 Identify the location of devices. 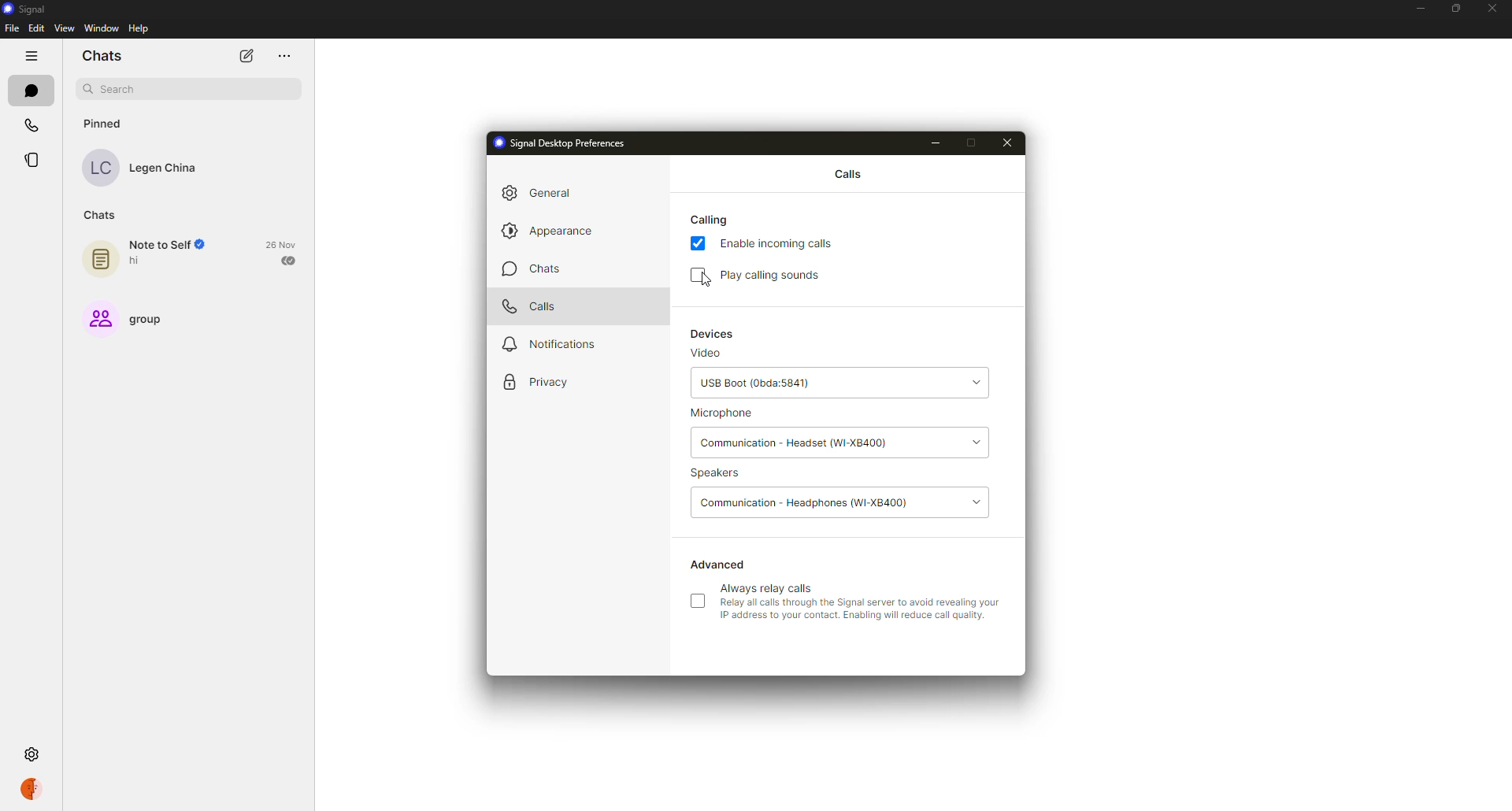
(714, 333).